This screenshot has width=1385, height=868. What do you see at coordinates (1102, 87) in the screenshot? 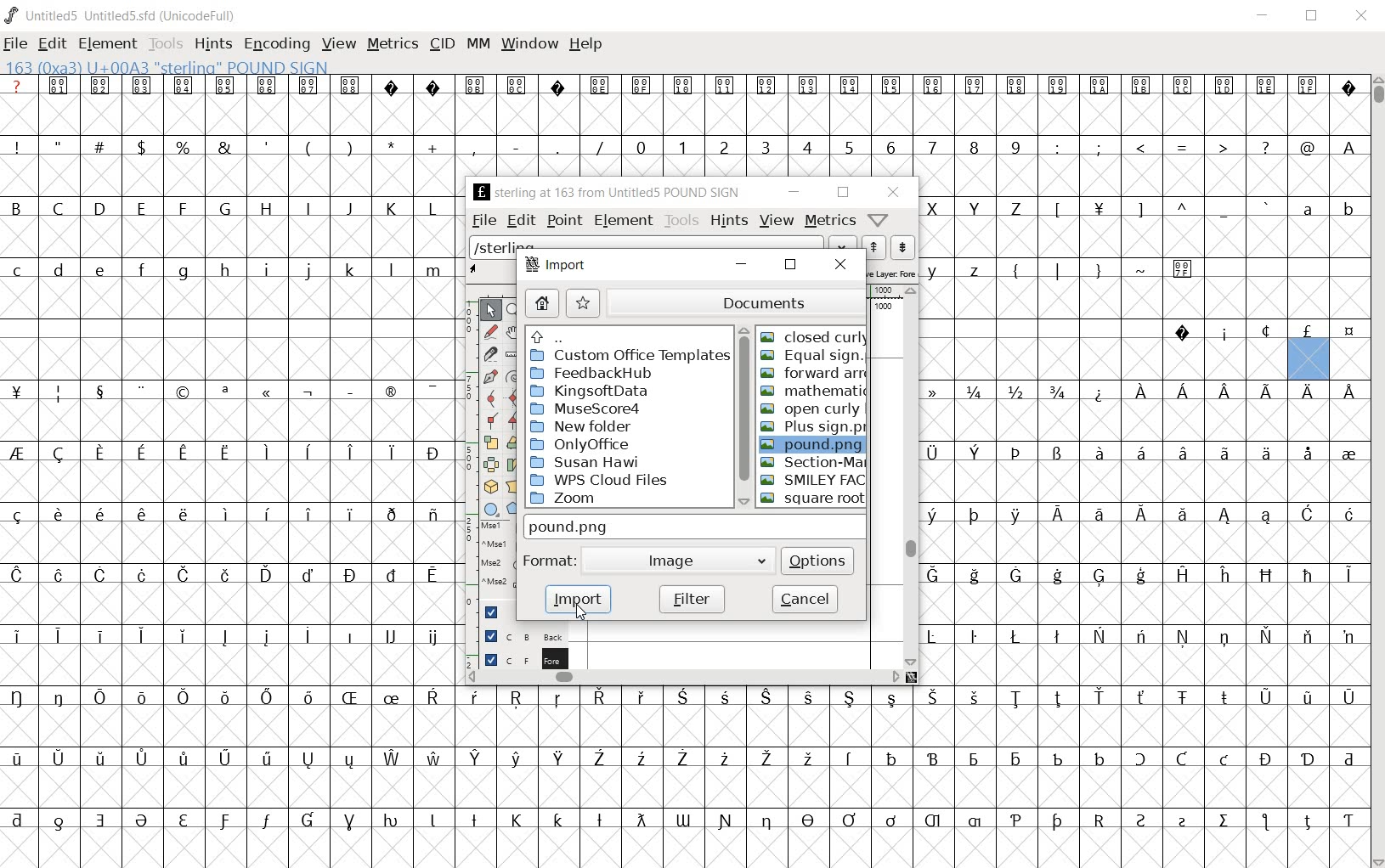
I see `Symbol` at bounding box center [1102, 87].